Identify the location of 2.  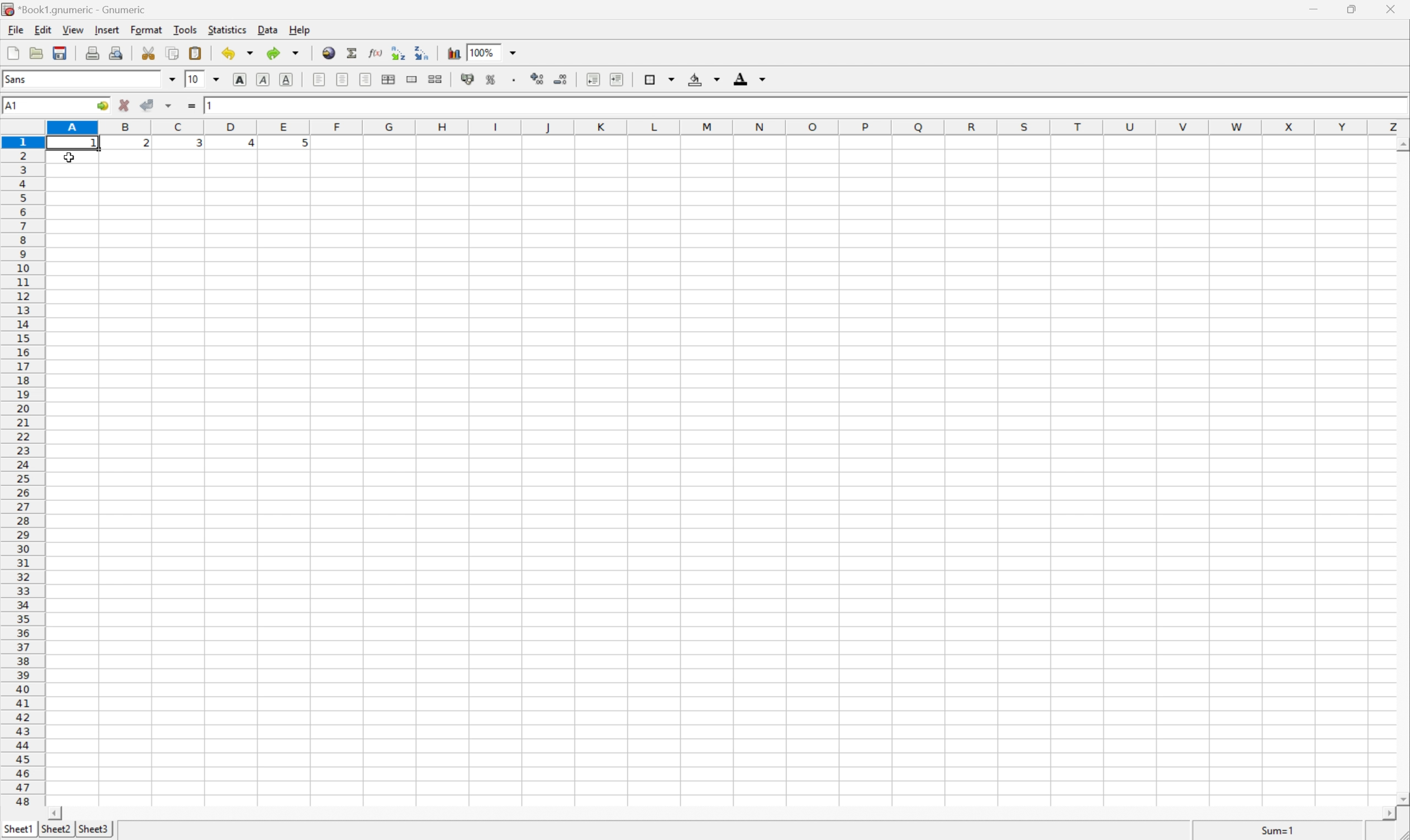
(146, 145).